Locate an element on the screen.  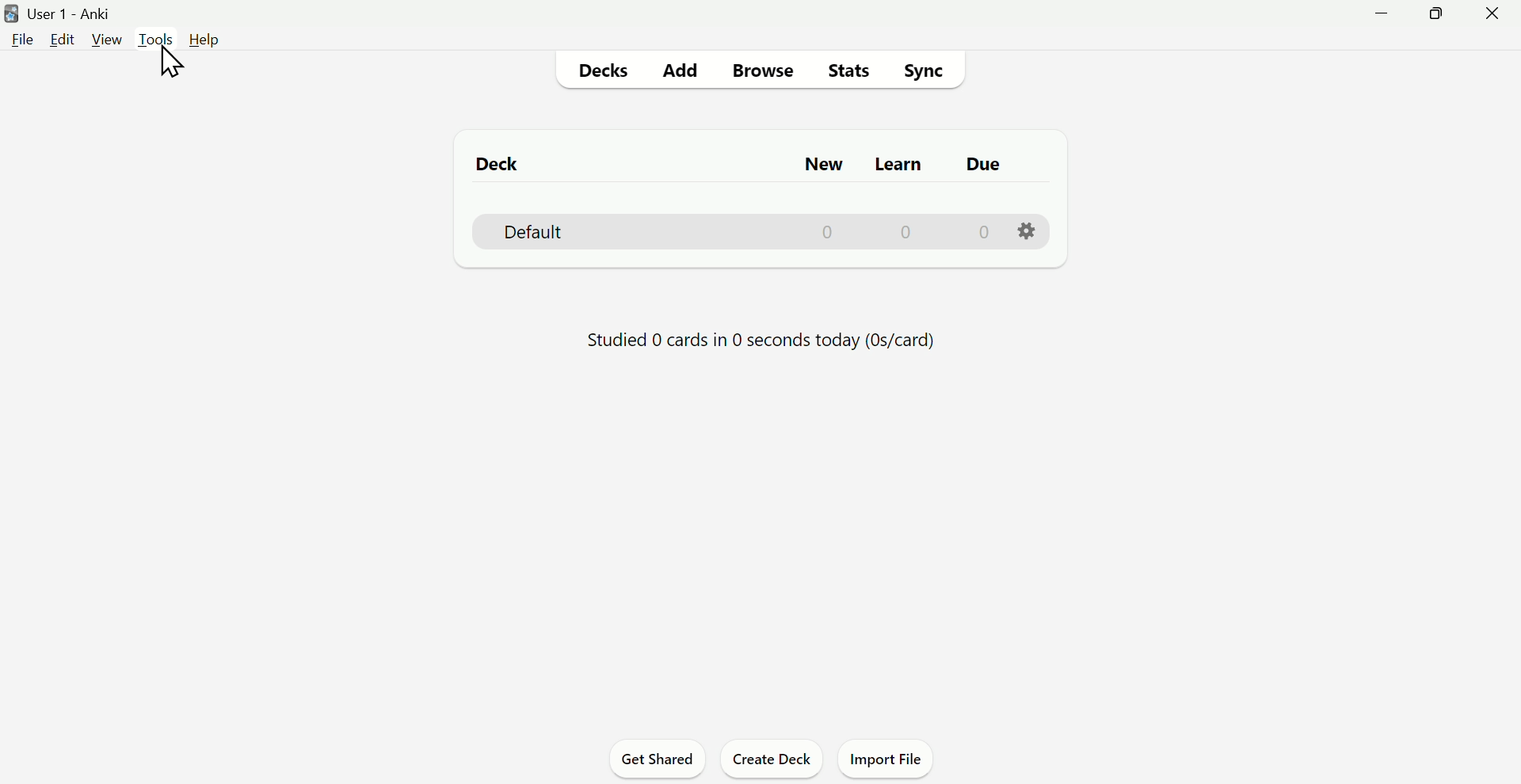
Browse is located at coordinates (764, 69).